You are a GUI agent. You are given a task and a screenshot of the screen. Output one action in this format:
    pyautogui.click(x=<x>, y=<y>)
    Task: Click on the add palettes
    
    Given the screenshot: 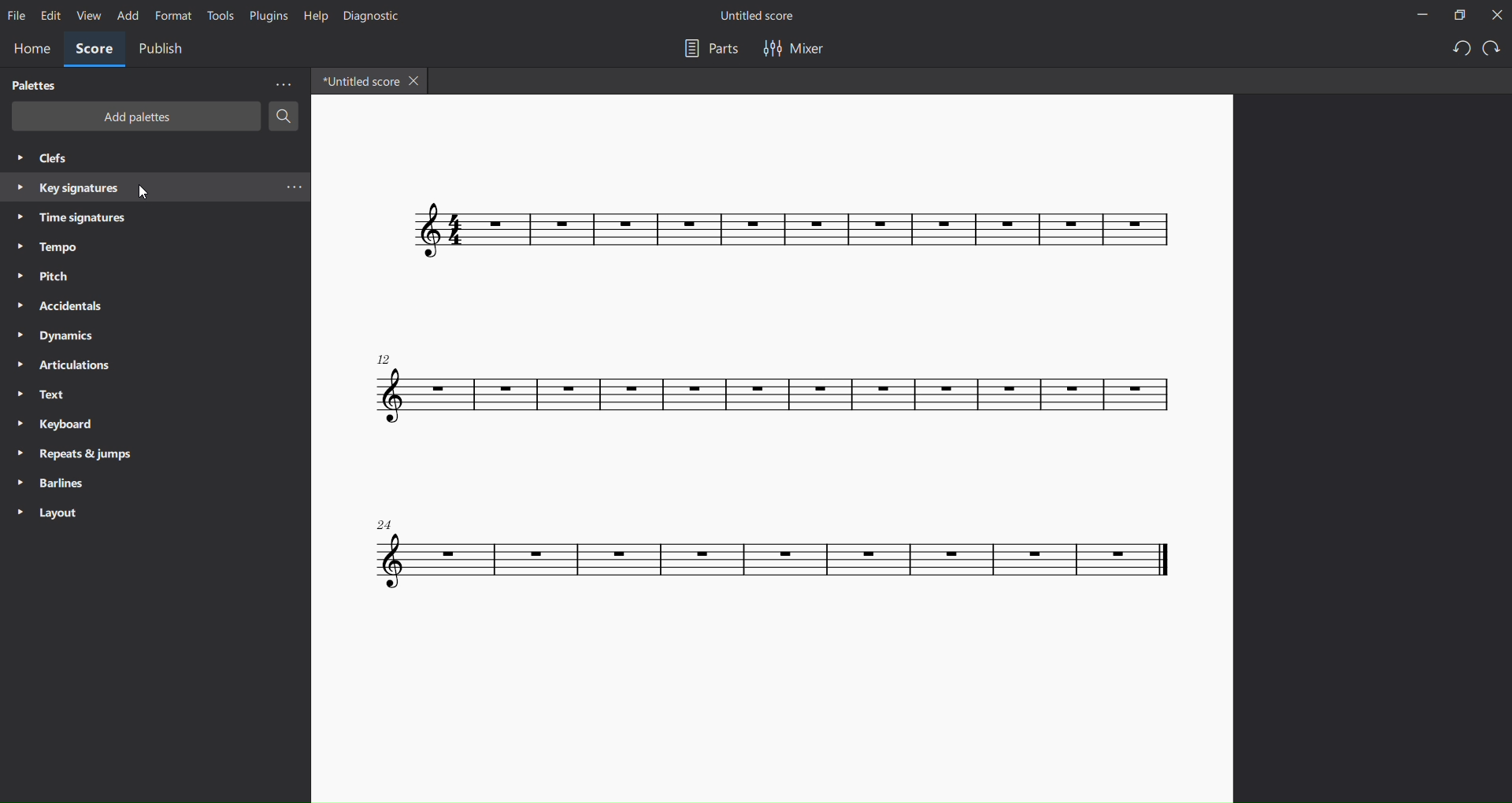 What is the action you would take?
    pyautogui.click(x=135, y=117)
    